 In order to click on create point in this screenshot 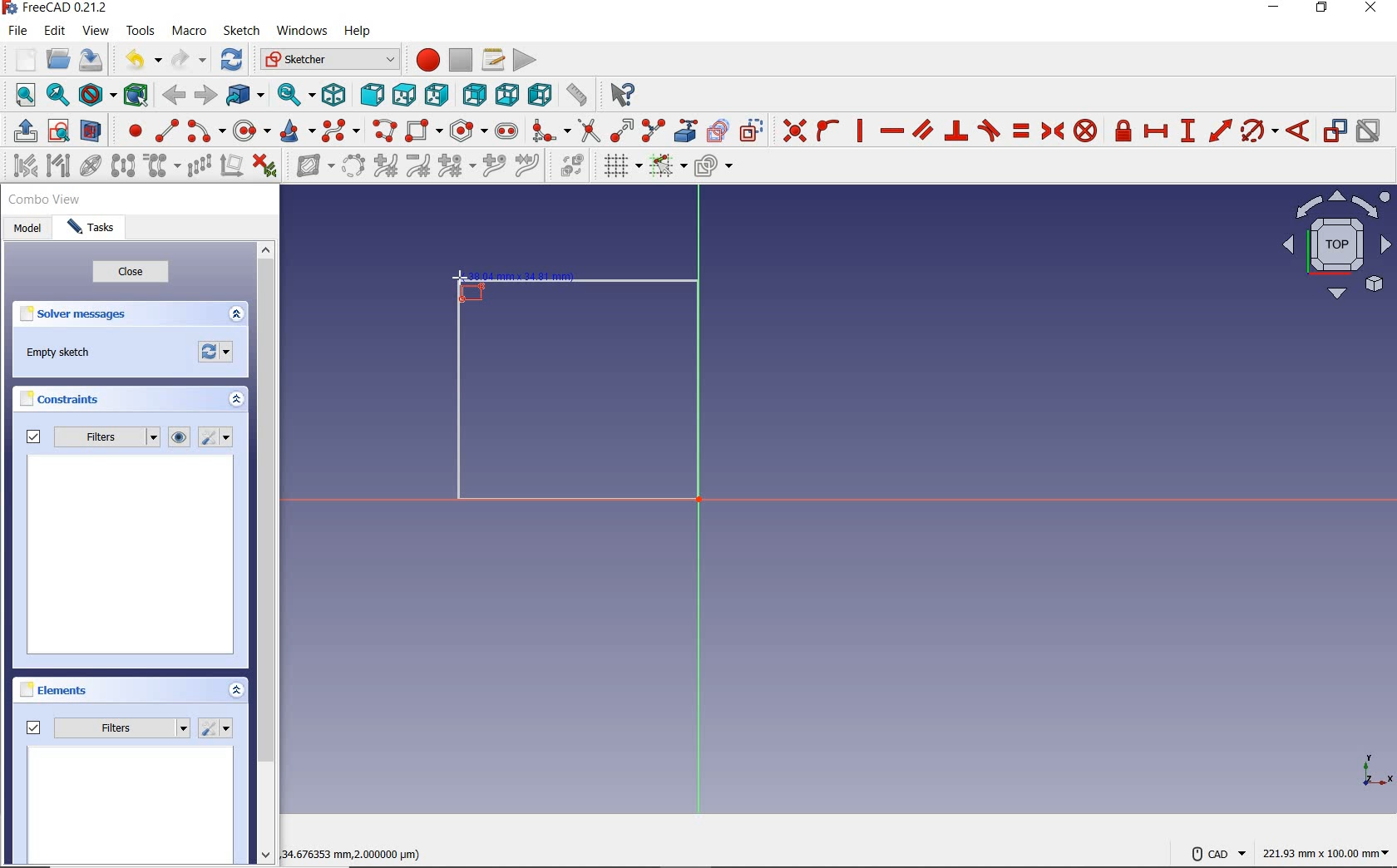, I will do `click(132, 131)`.